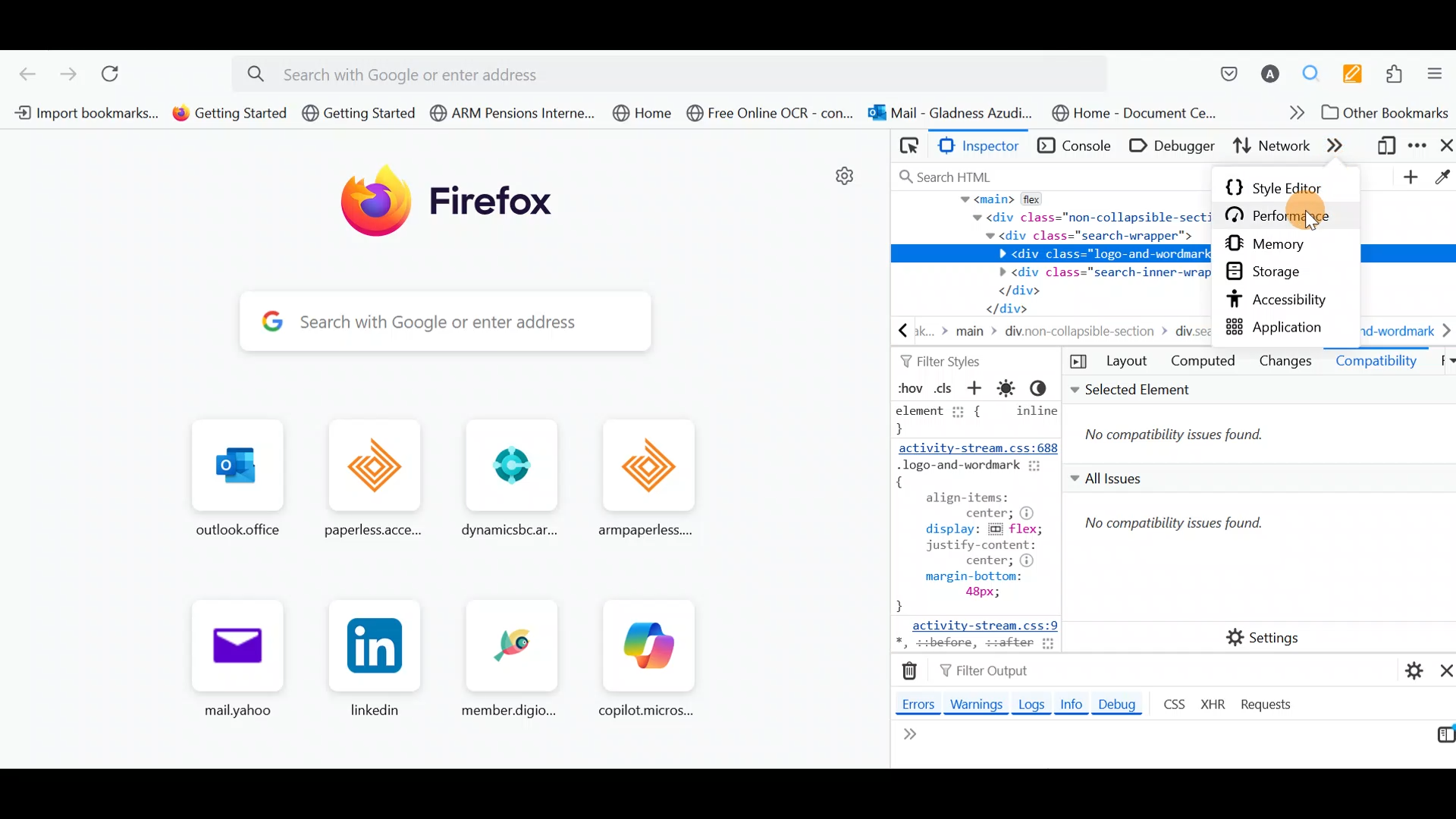  I want to click on CSS, so click(1172, 703).